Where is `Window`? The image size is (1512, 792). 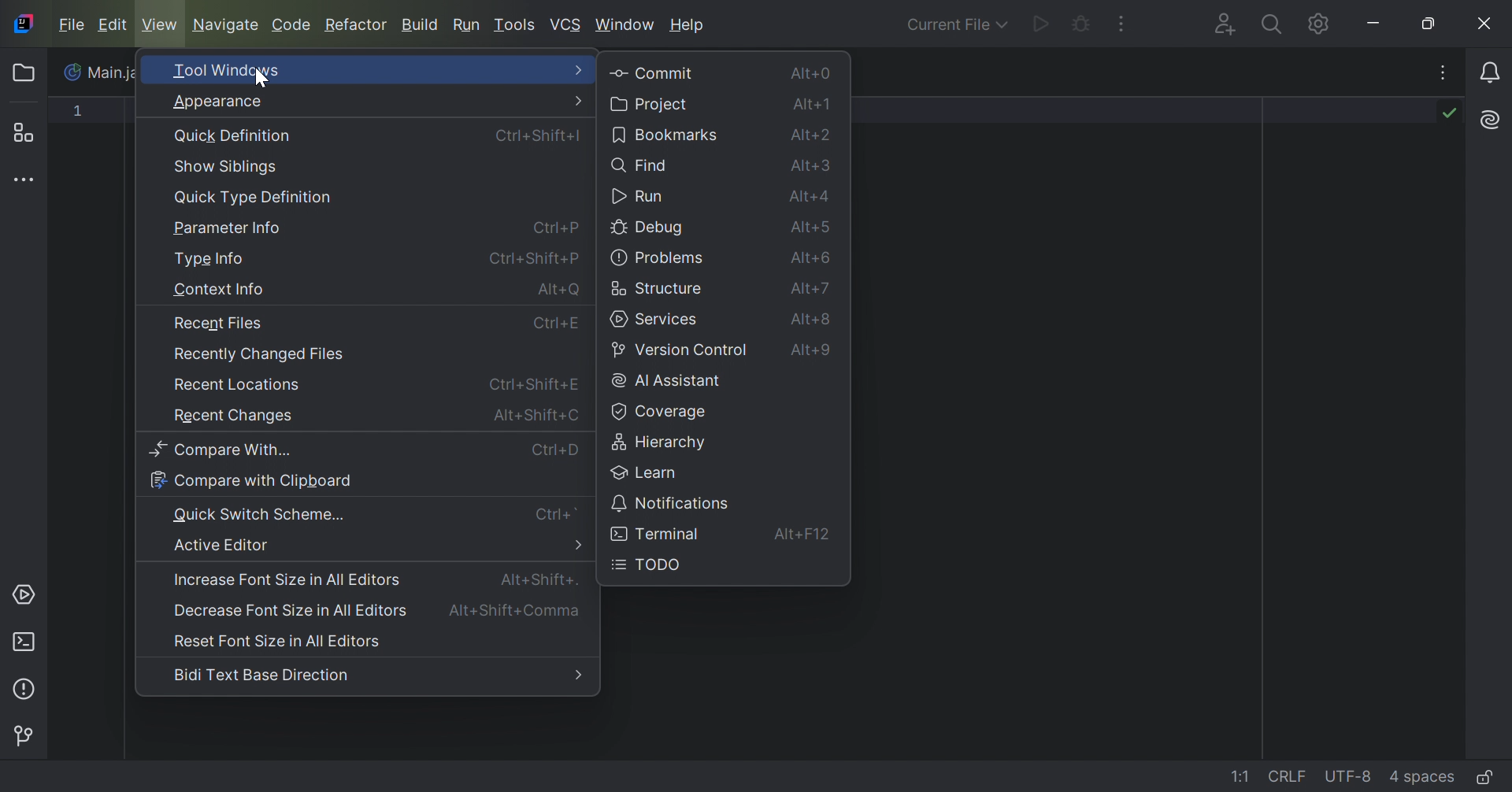
Window is located at coordinates (627, 24).